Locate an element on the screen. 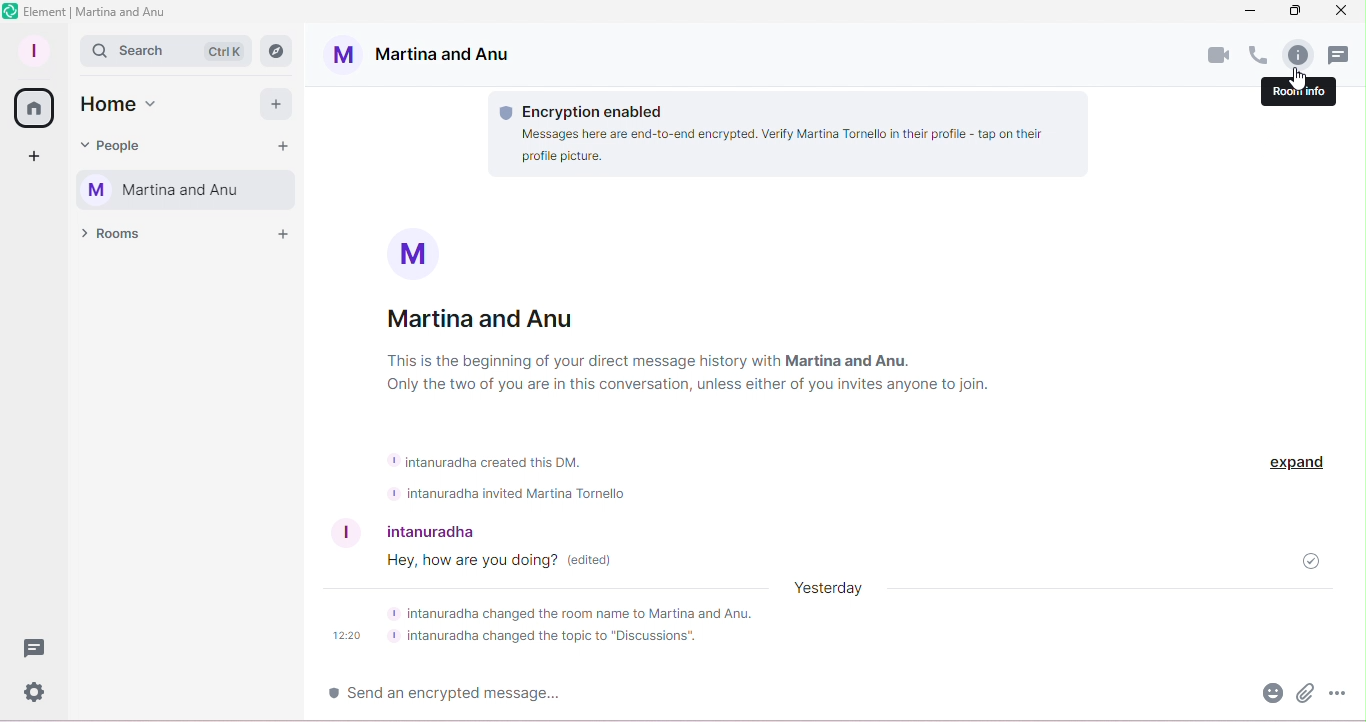  Home is located at coordinates (33, 109).